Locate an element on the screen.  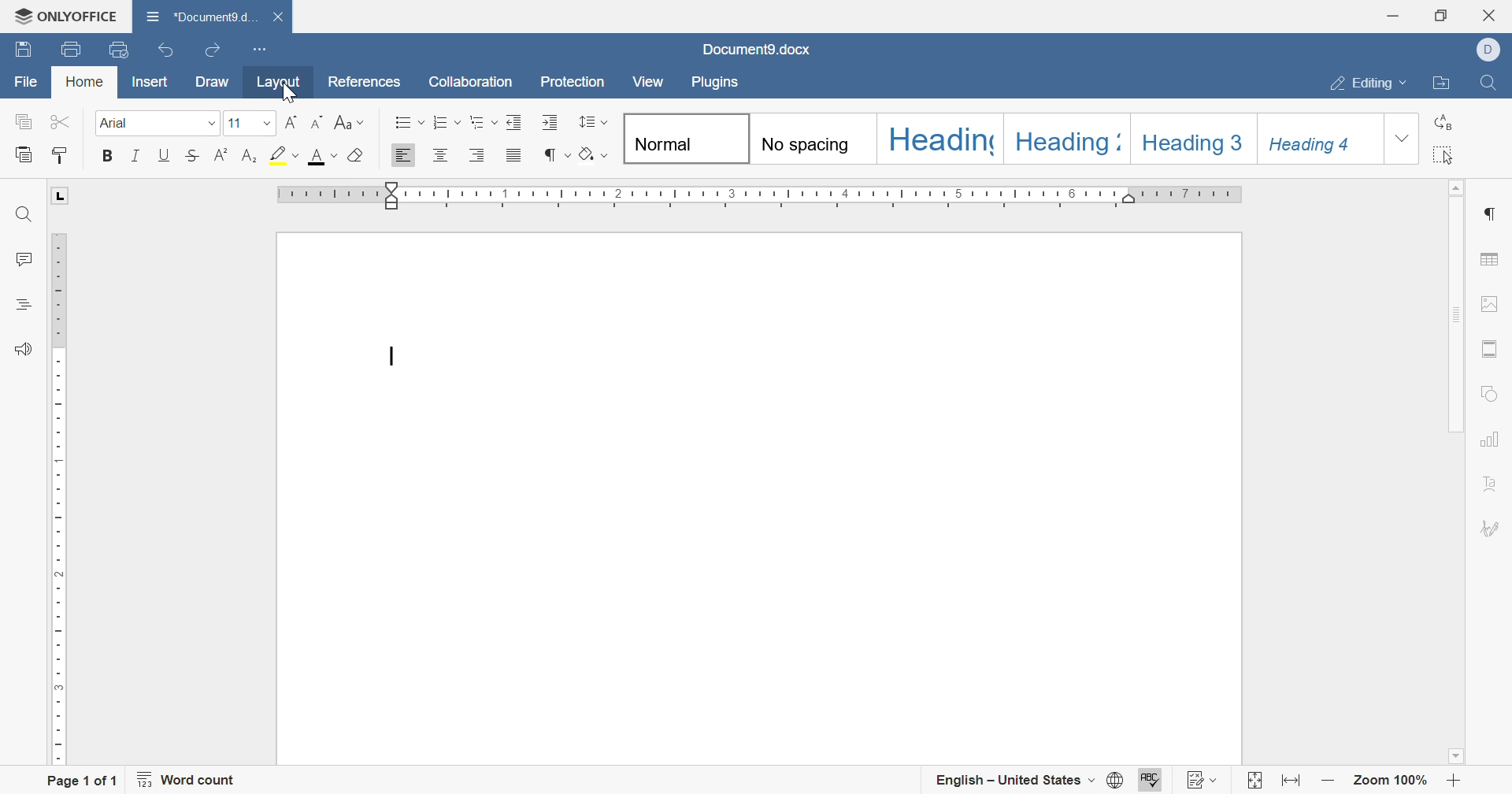
set document language is located at coordinates (1121, 780).